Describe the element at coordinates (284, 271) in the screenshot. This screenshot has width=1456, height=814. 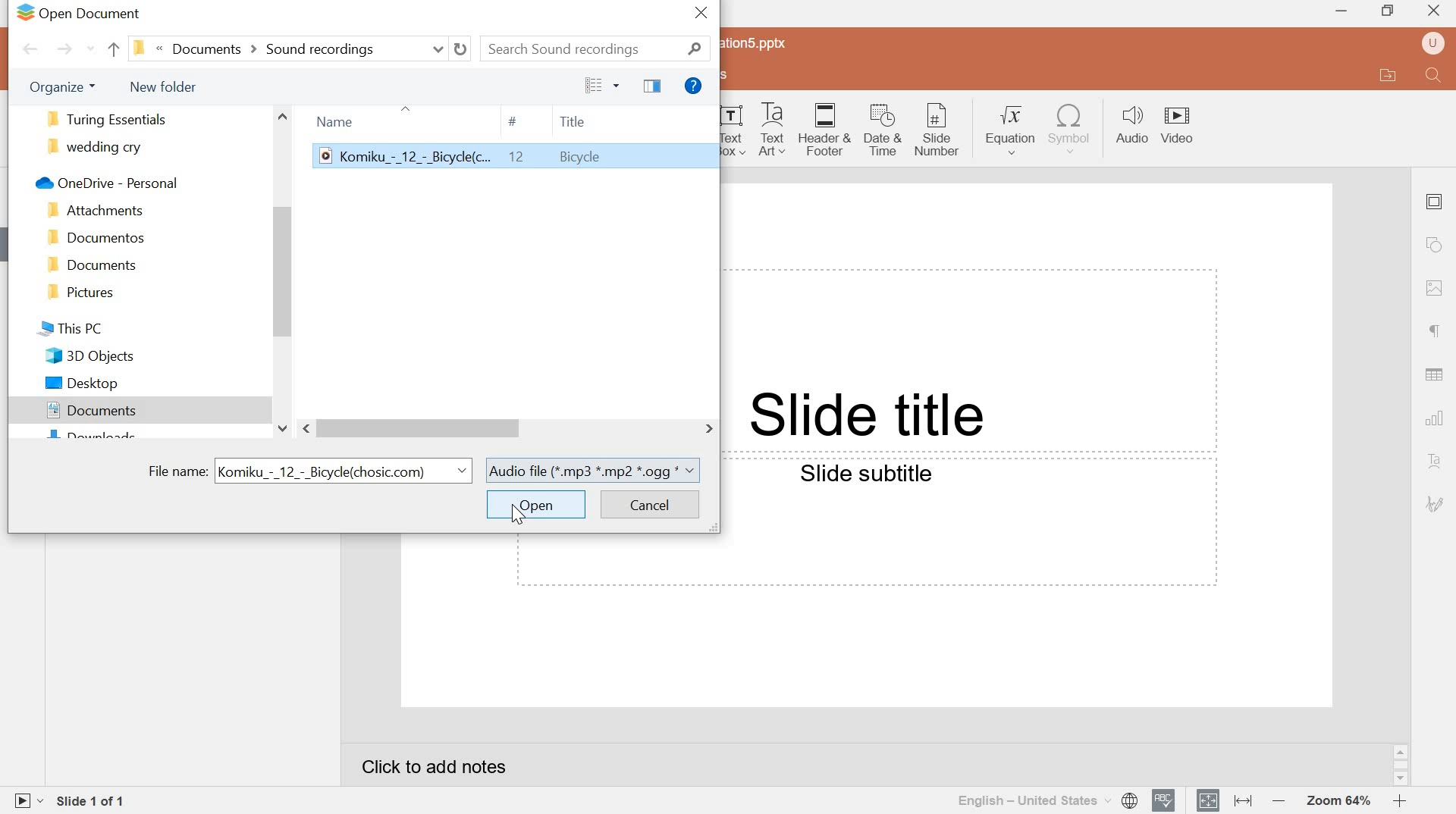
I see `scroll bar` at that location.